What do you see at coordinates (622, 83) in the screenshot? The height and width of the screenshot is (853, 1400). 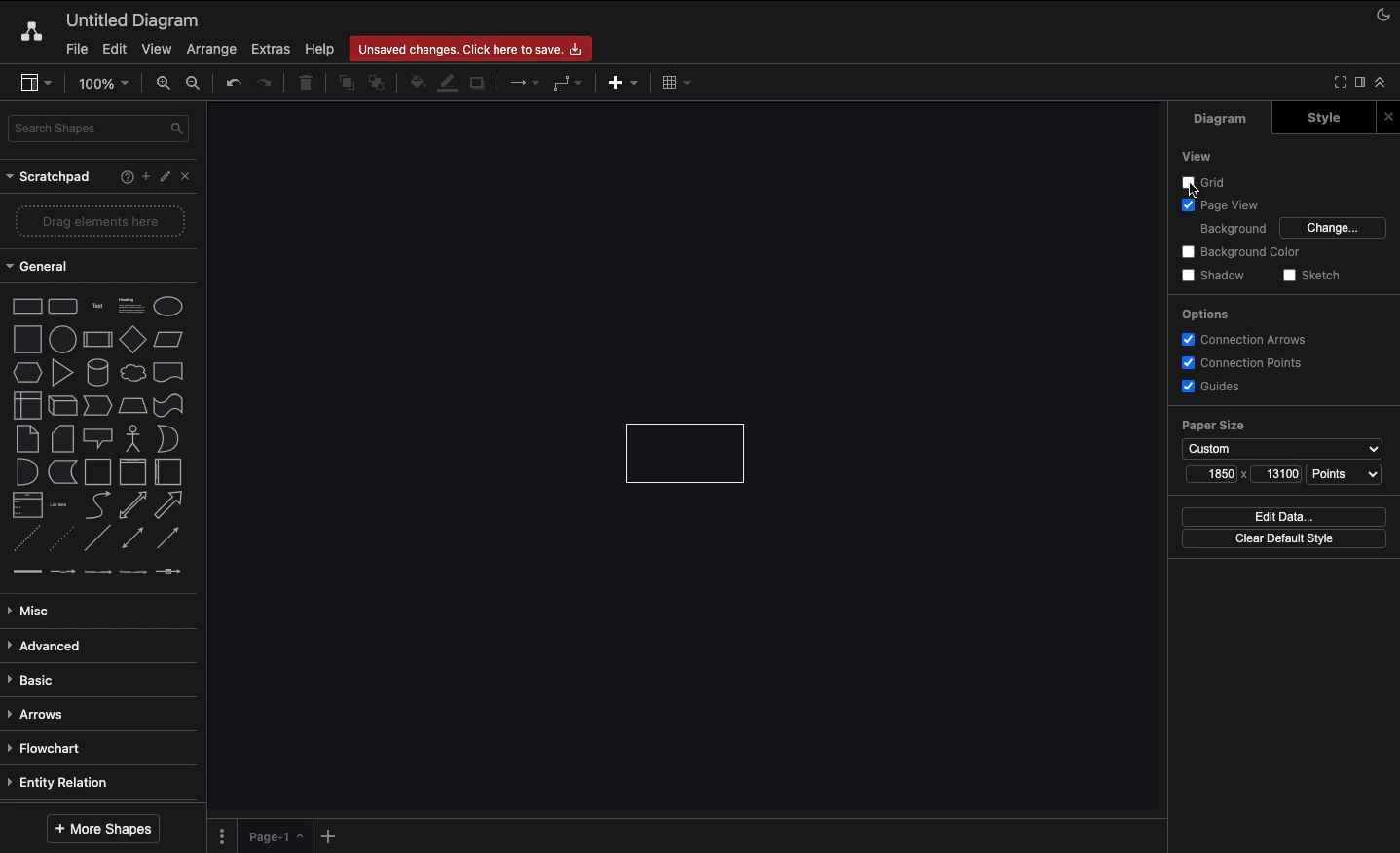 I see `Insert` at bounding box center [622, 83].